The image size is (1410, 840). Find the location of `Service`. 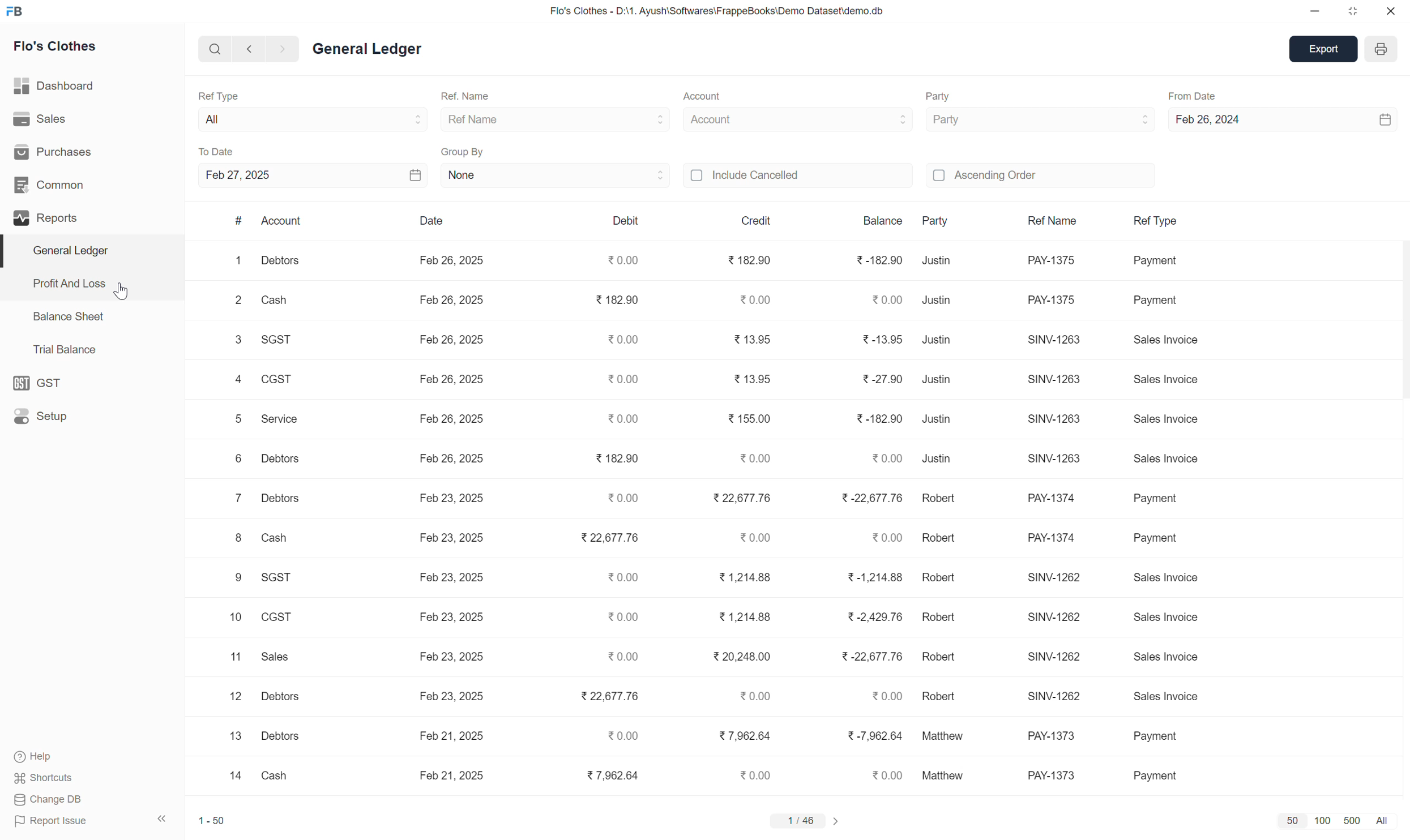

Service is located at coordinates (282, 425).